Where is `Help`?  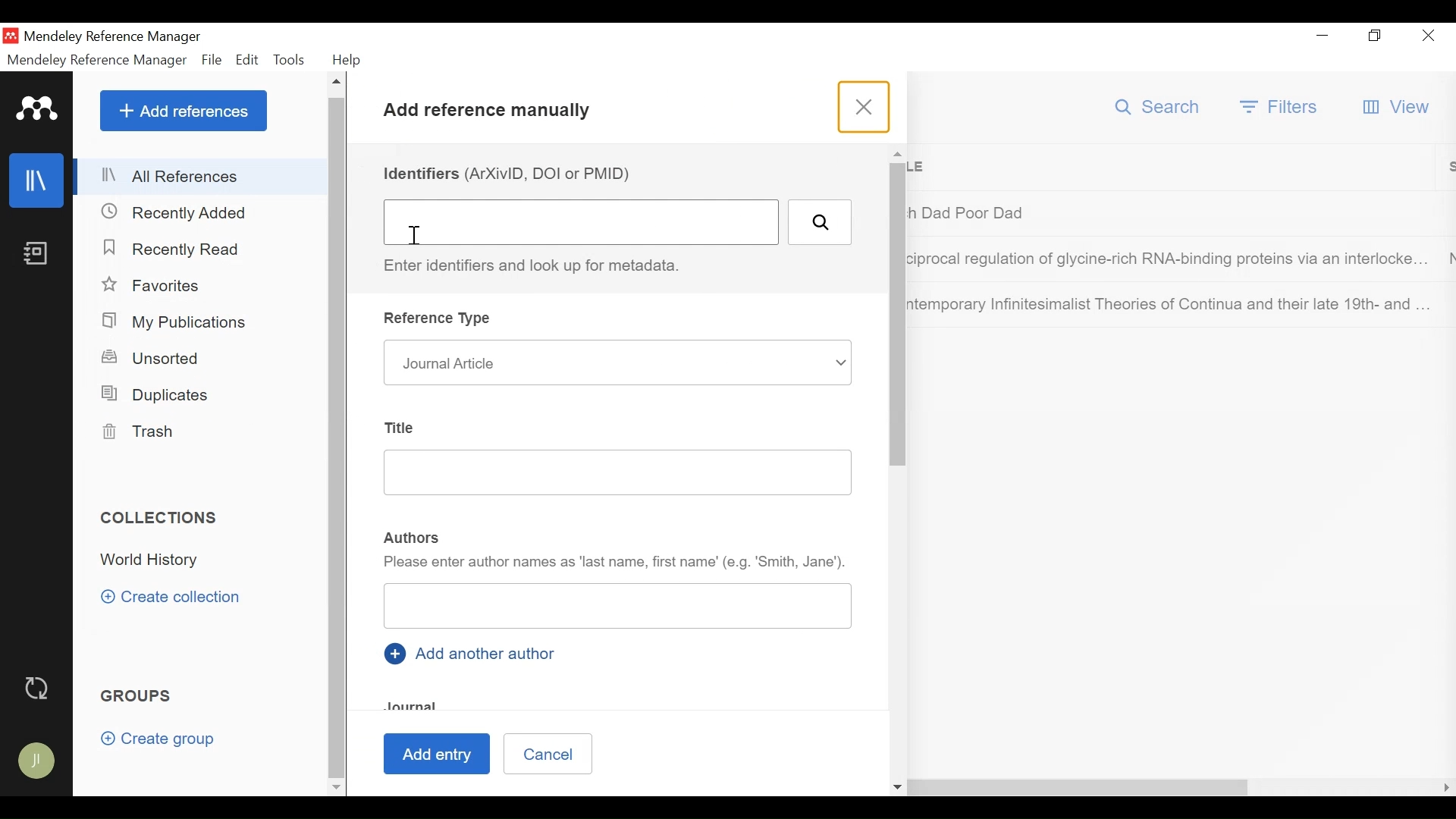
Help is located at coordinates (351, 60).